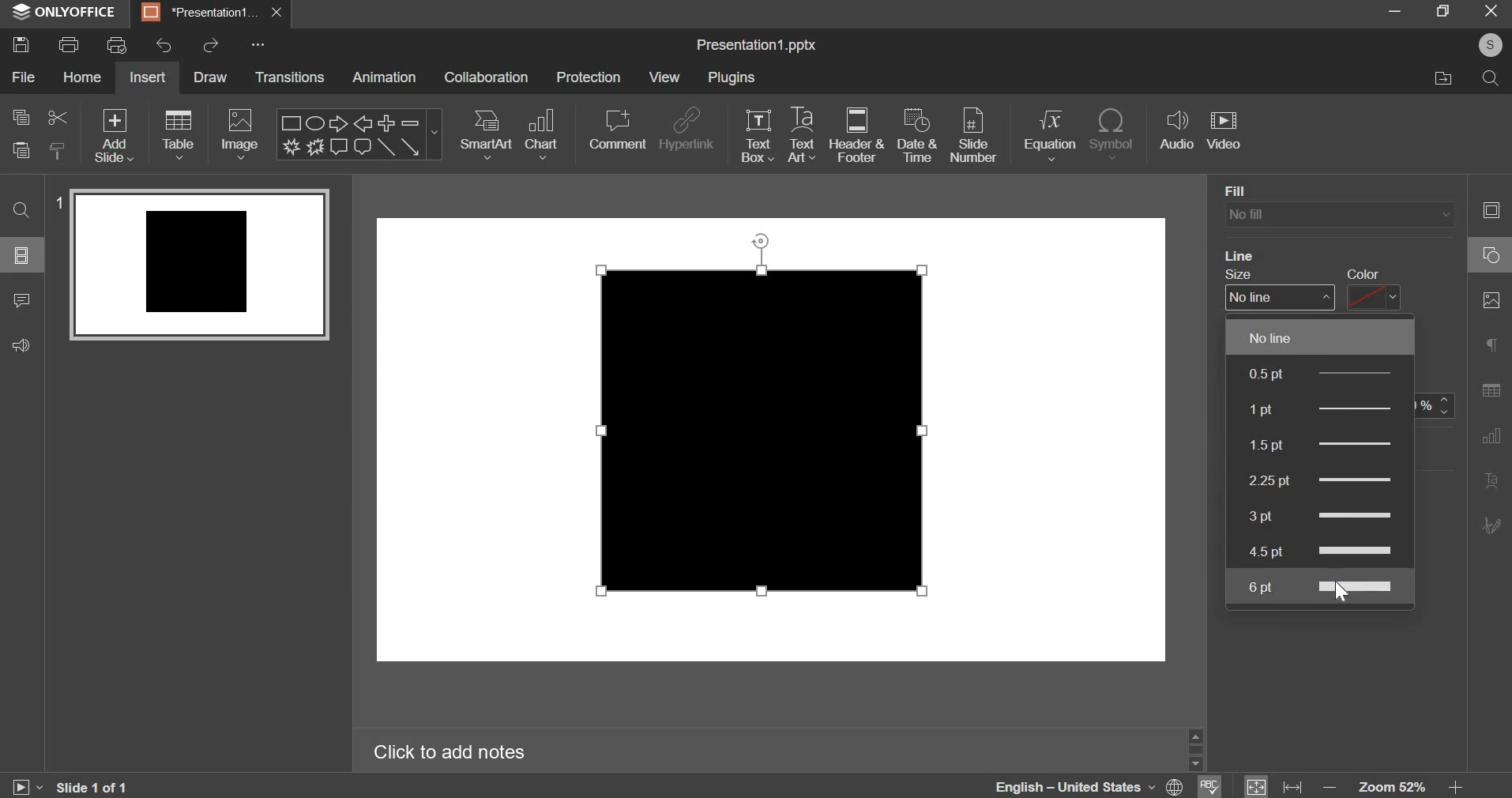  I want to click on find, so click(22, 209).